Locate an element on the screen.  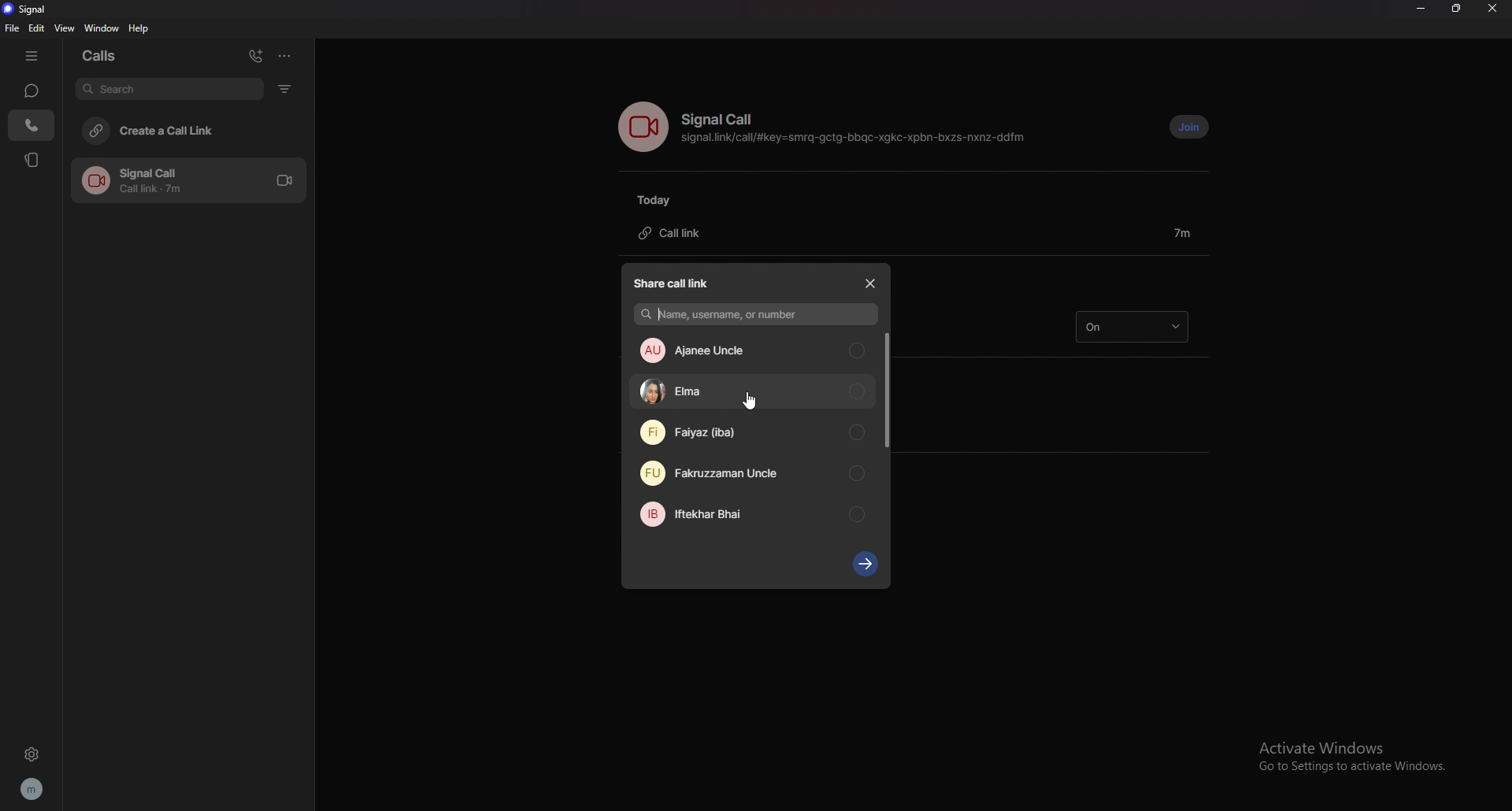
cursor is located at coordinates (748, 402).